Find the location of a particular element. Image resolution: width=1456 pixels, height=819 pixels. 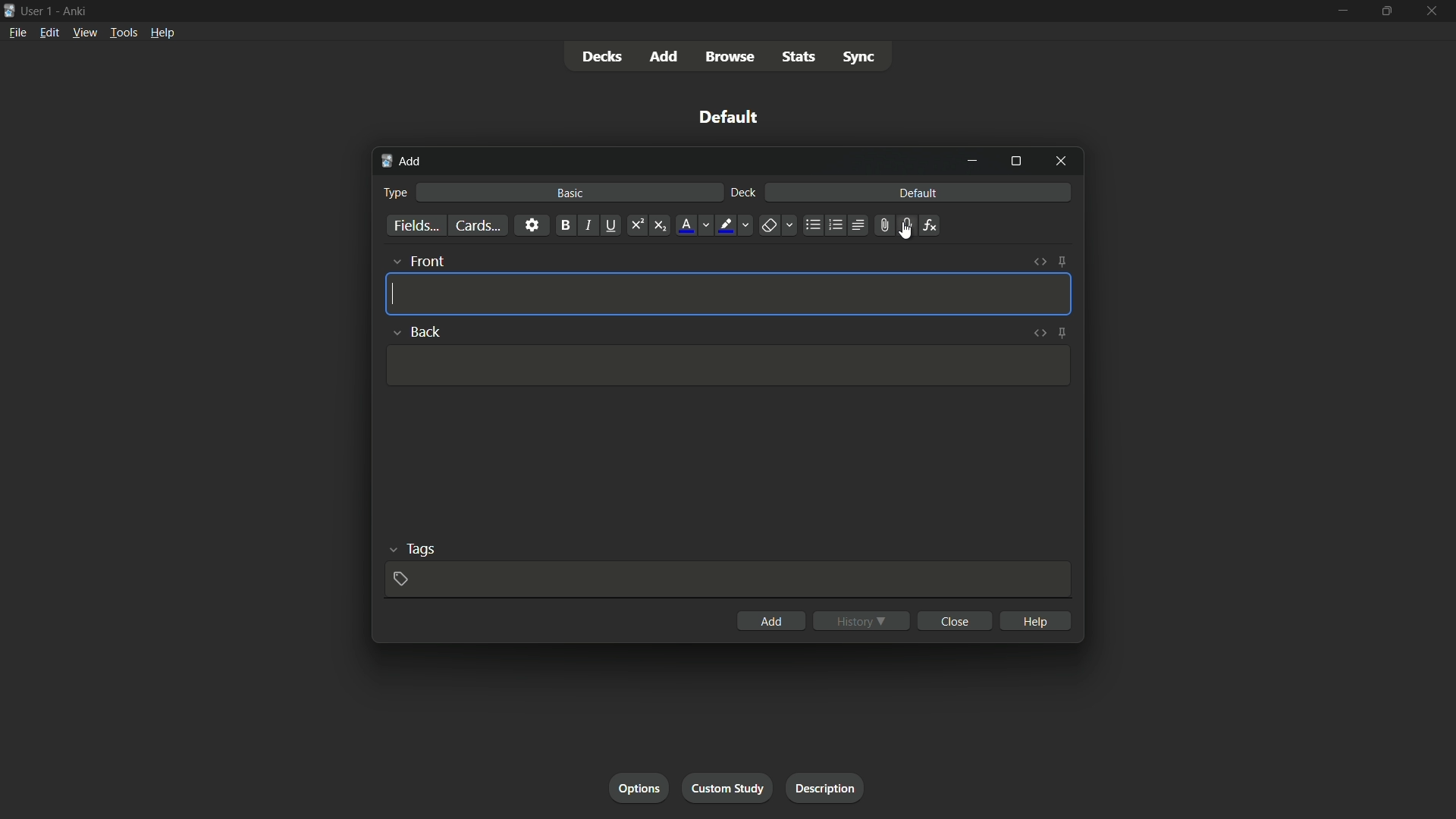

attach is located at coordinates (881, 225).